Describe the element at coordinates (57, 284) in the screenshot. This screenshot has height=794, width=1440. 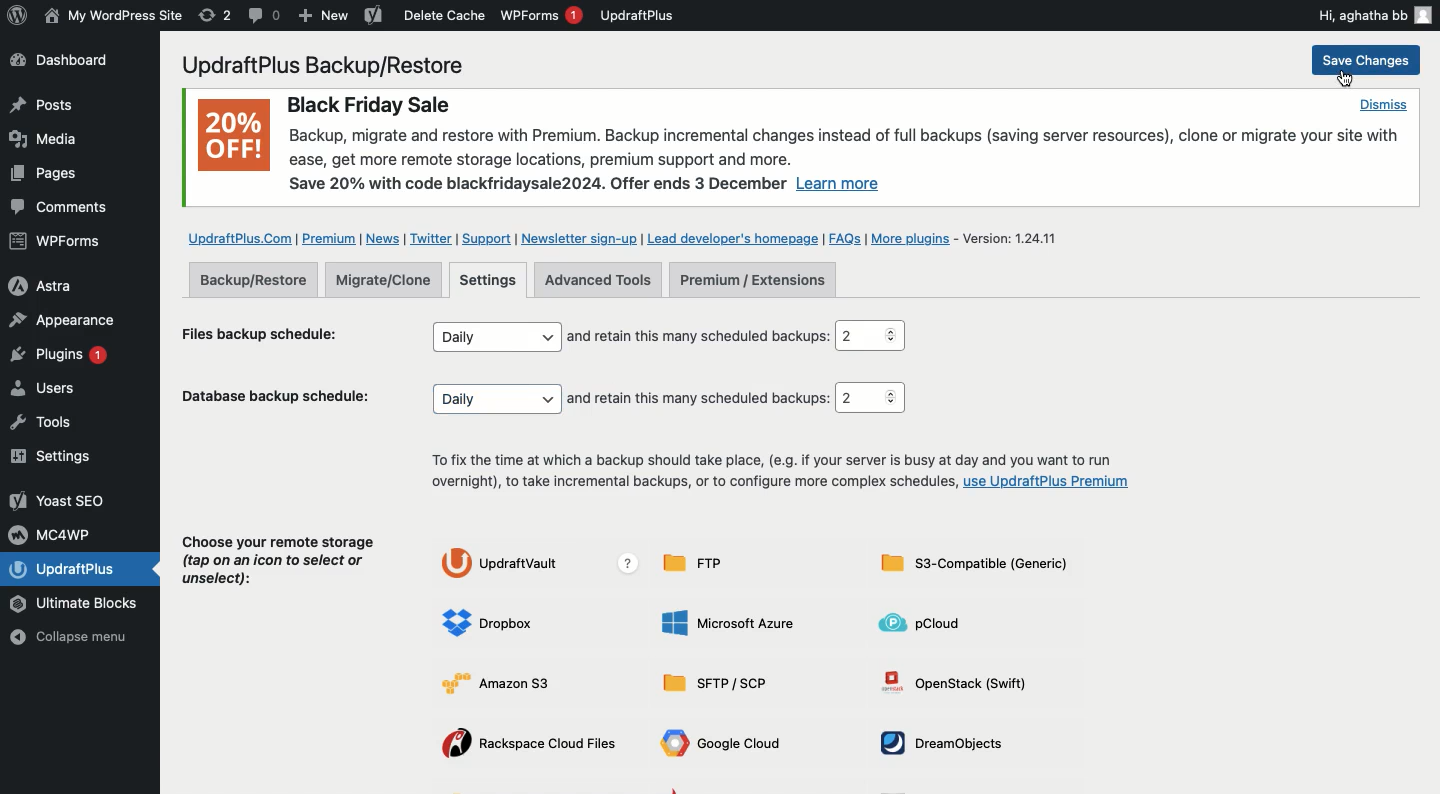
I see `Astra` at that location.